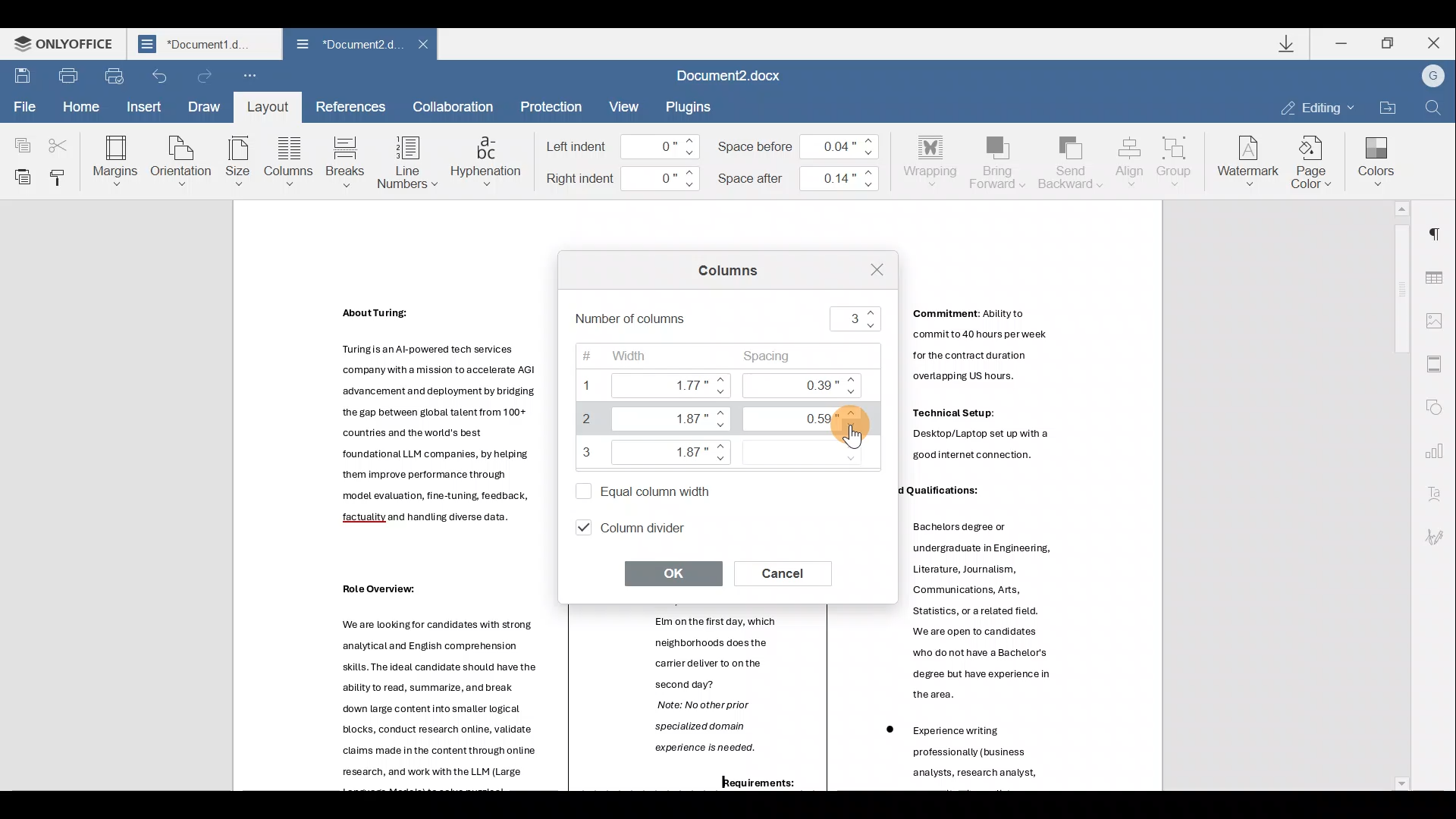  What do you see at coordinates (941, 493) in the screenshot?
I see `` at bounding box center [941, 493].